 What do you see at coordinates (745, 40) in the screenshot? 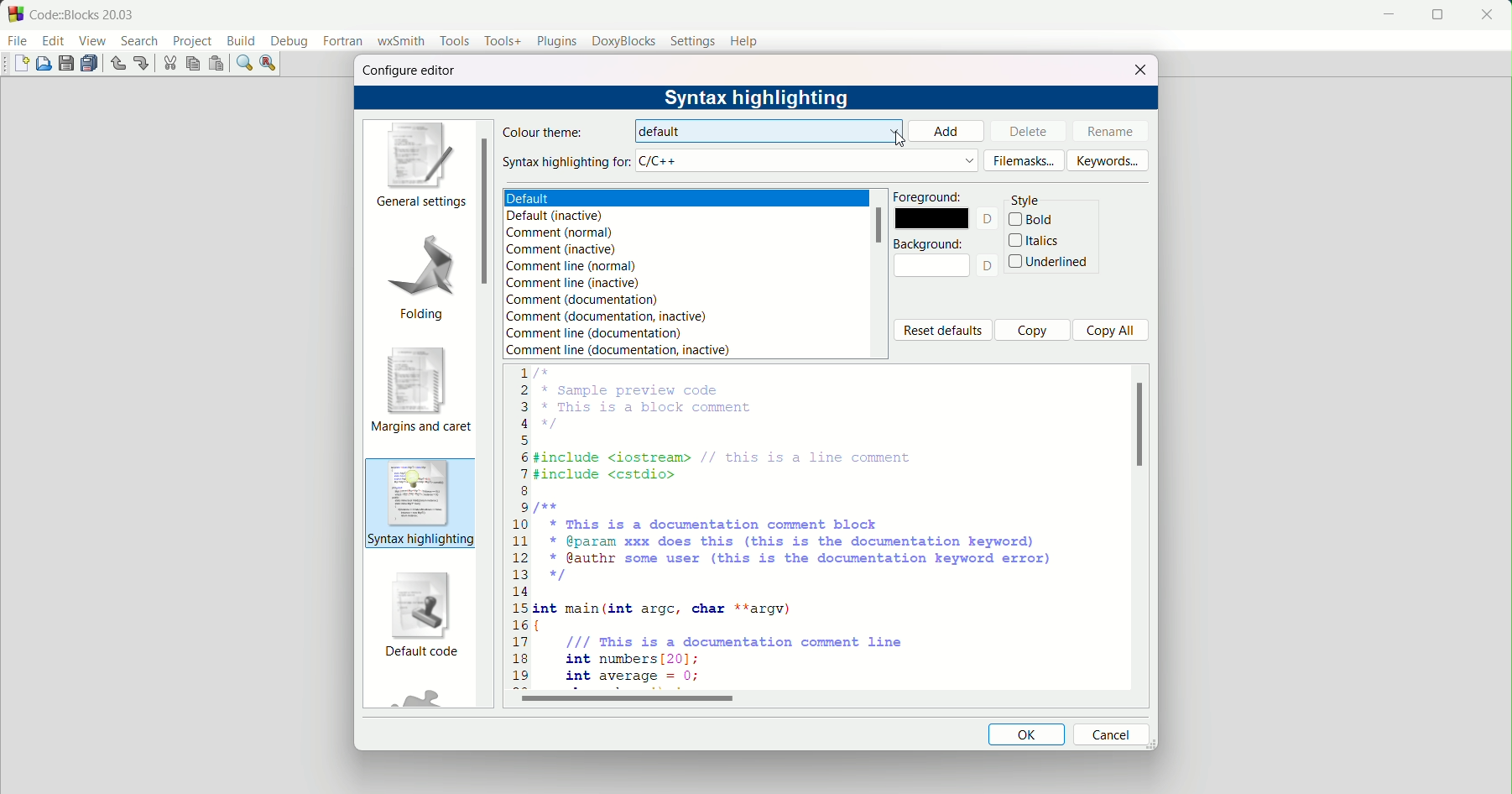
I see `help` at bounding box center [745, 40].